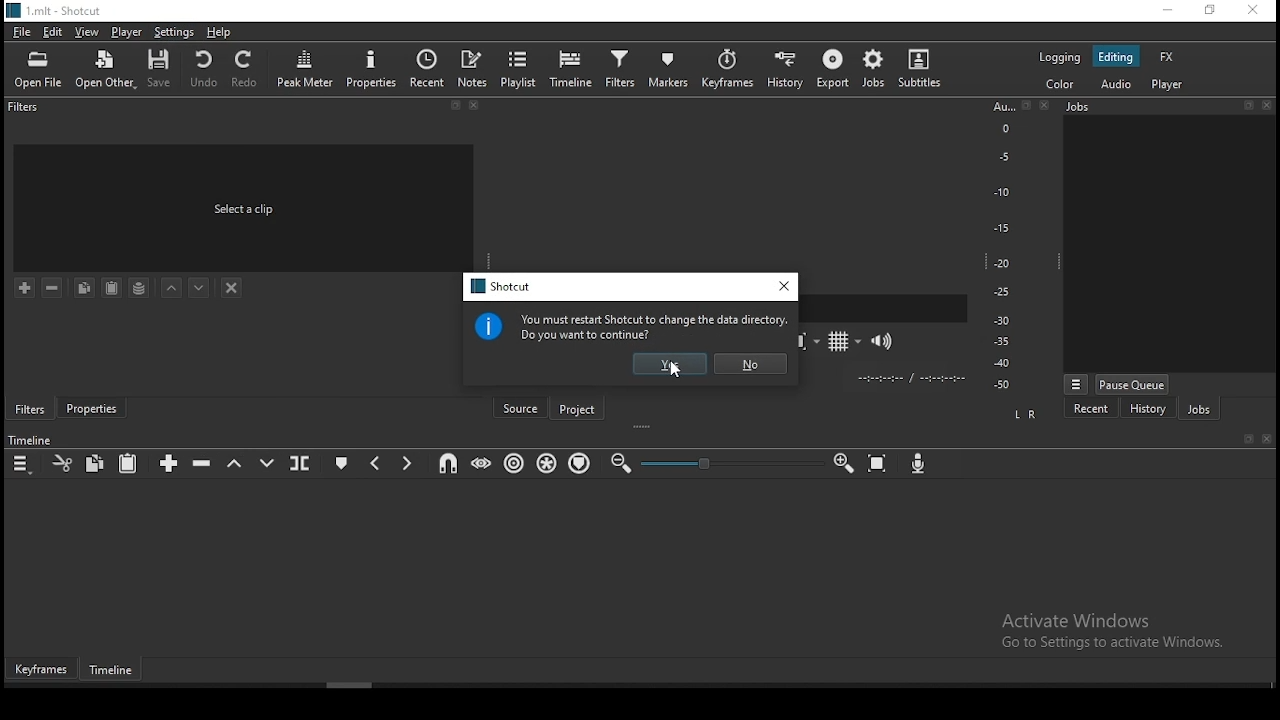 The height and width of the screenshot is (720, 1280). Describe the element at coordinates (61, 462) in the screenshot. I see `cut` at that location.